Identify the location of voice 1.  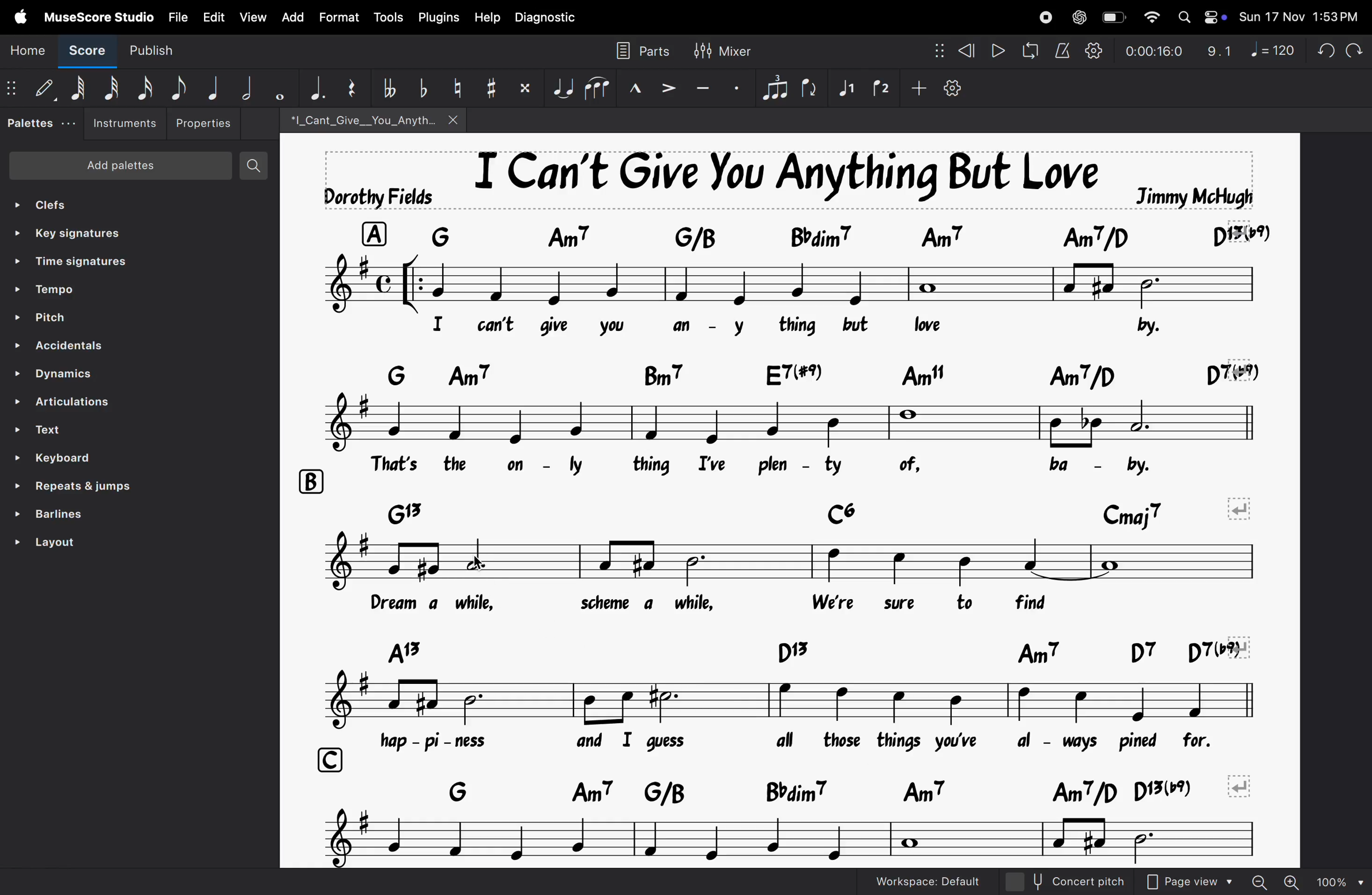
(883, 88).